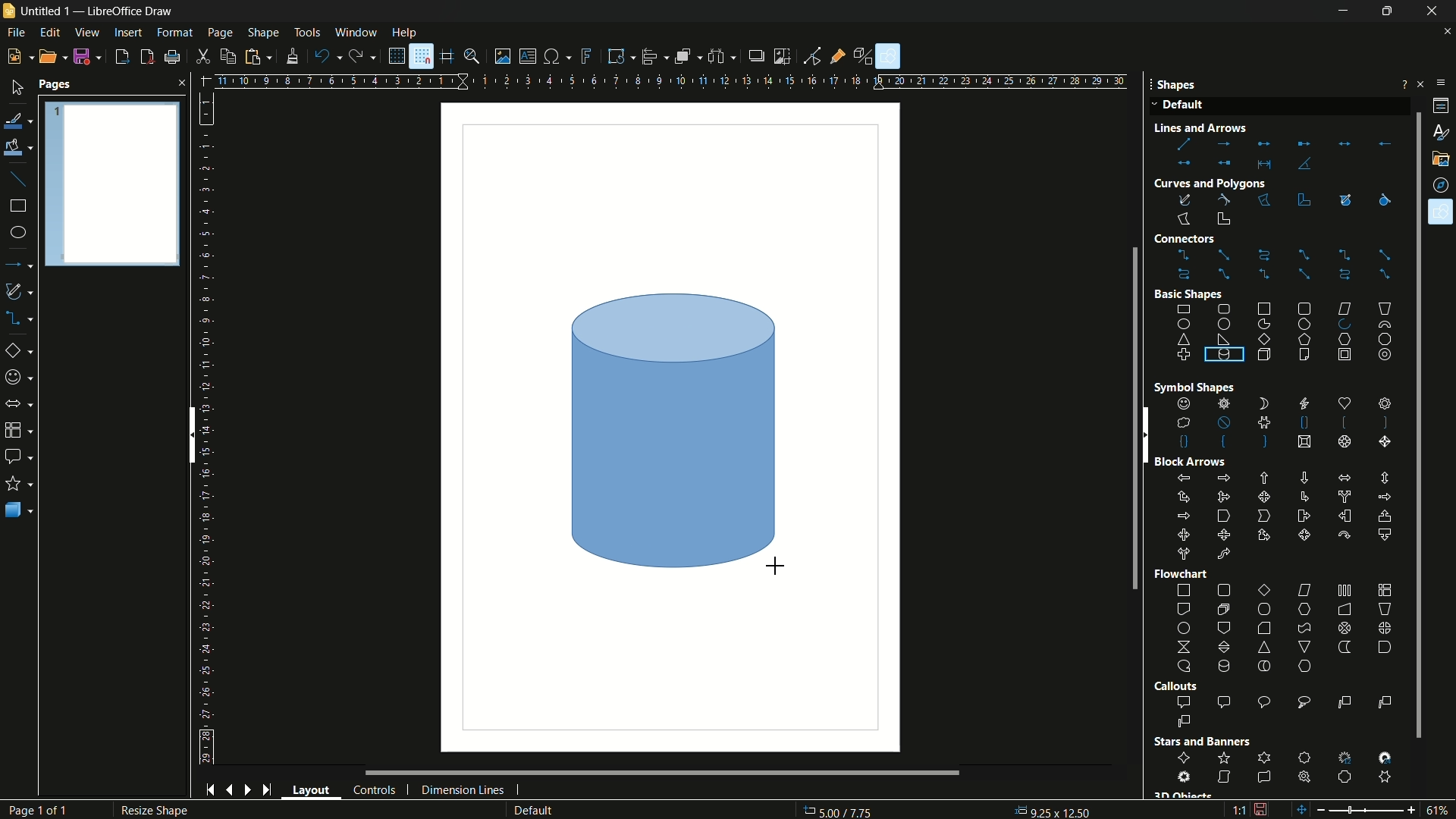 Image resolution: width=1456 pixels, height=819 pixels. Describe the element at coordinates (1210, 181) in the screenshot. I see `Curves and Polygons` at that location.